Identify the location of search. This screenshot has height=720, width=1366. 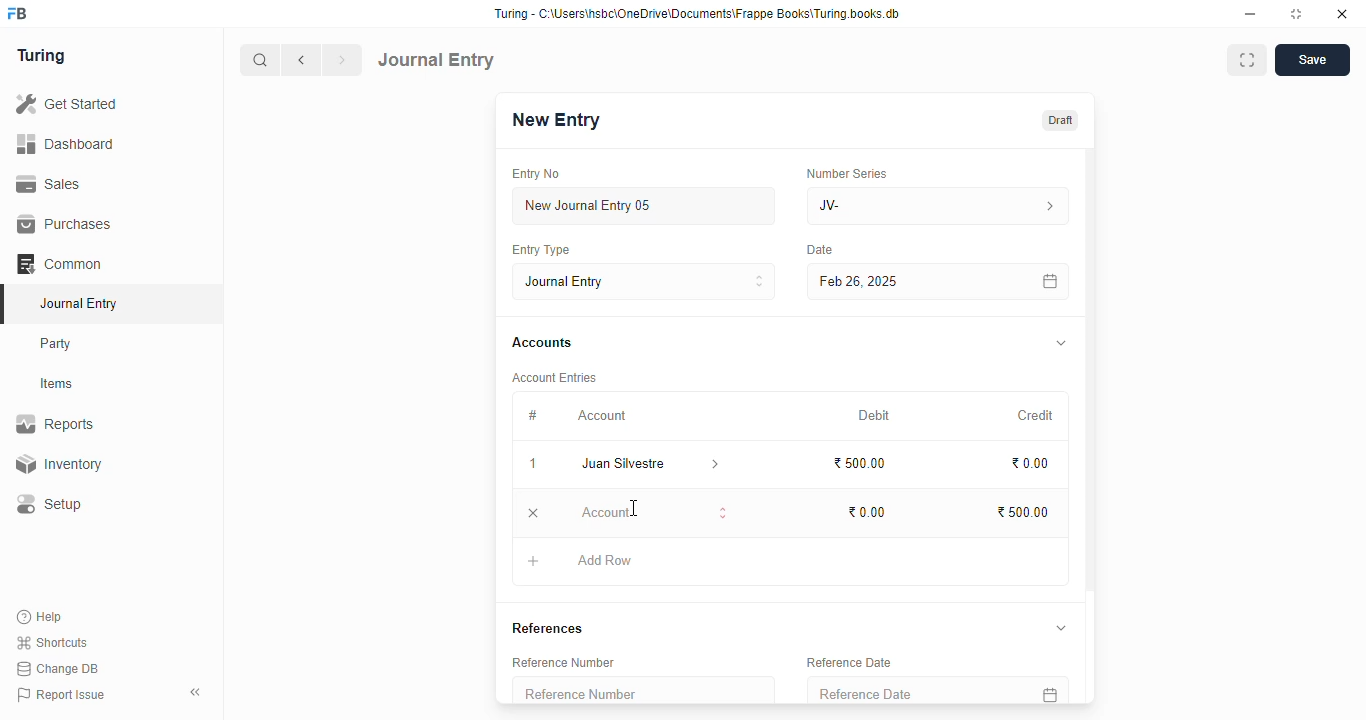
(261, 60).